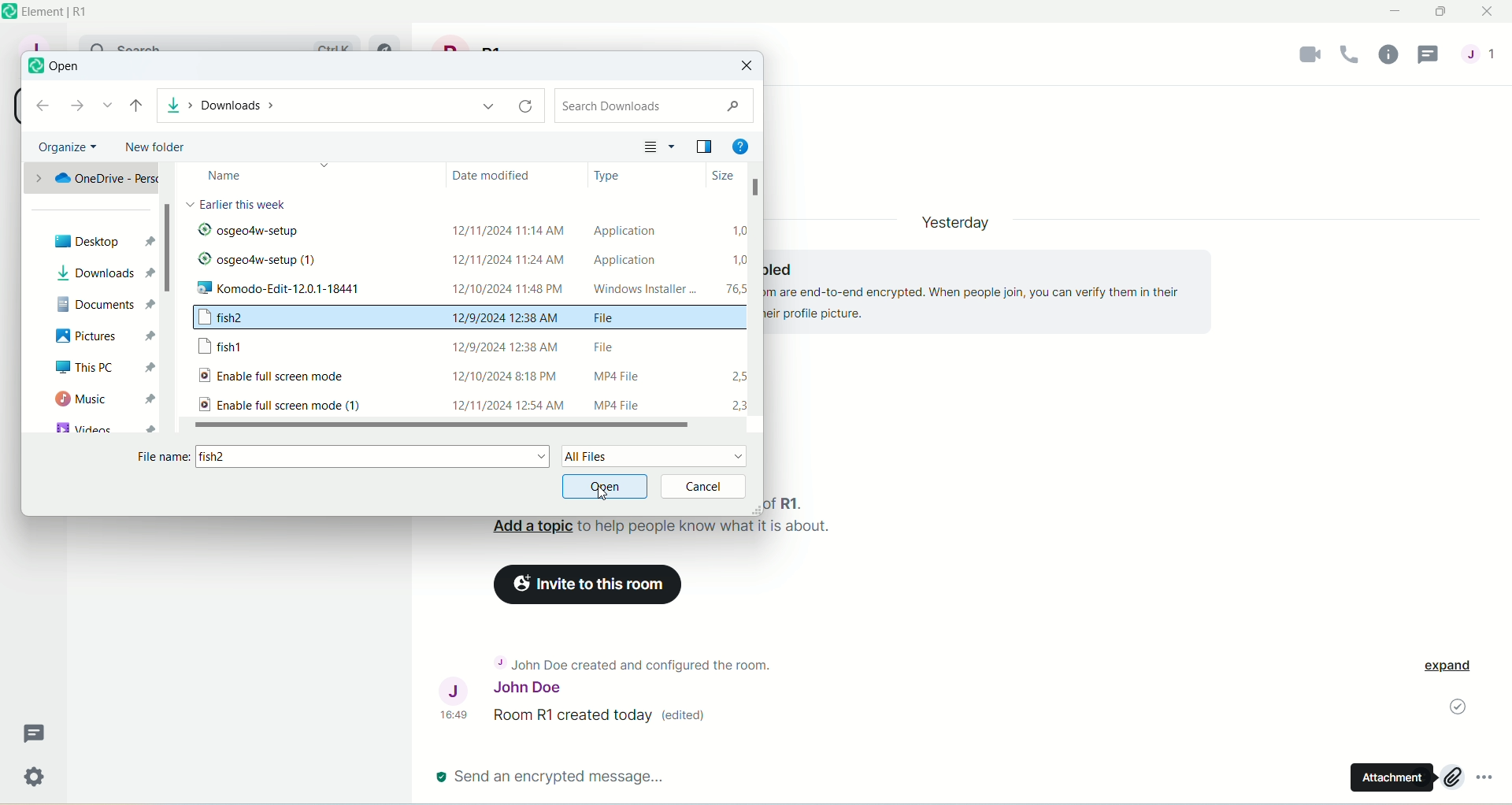  I want to click on element | R1, so click(72, 12).